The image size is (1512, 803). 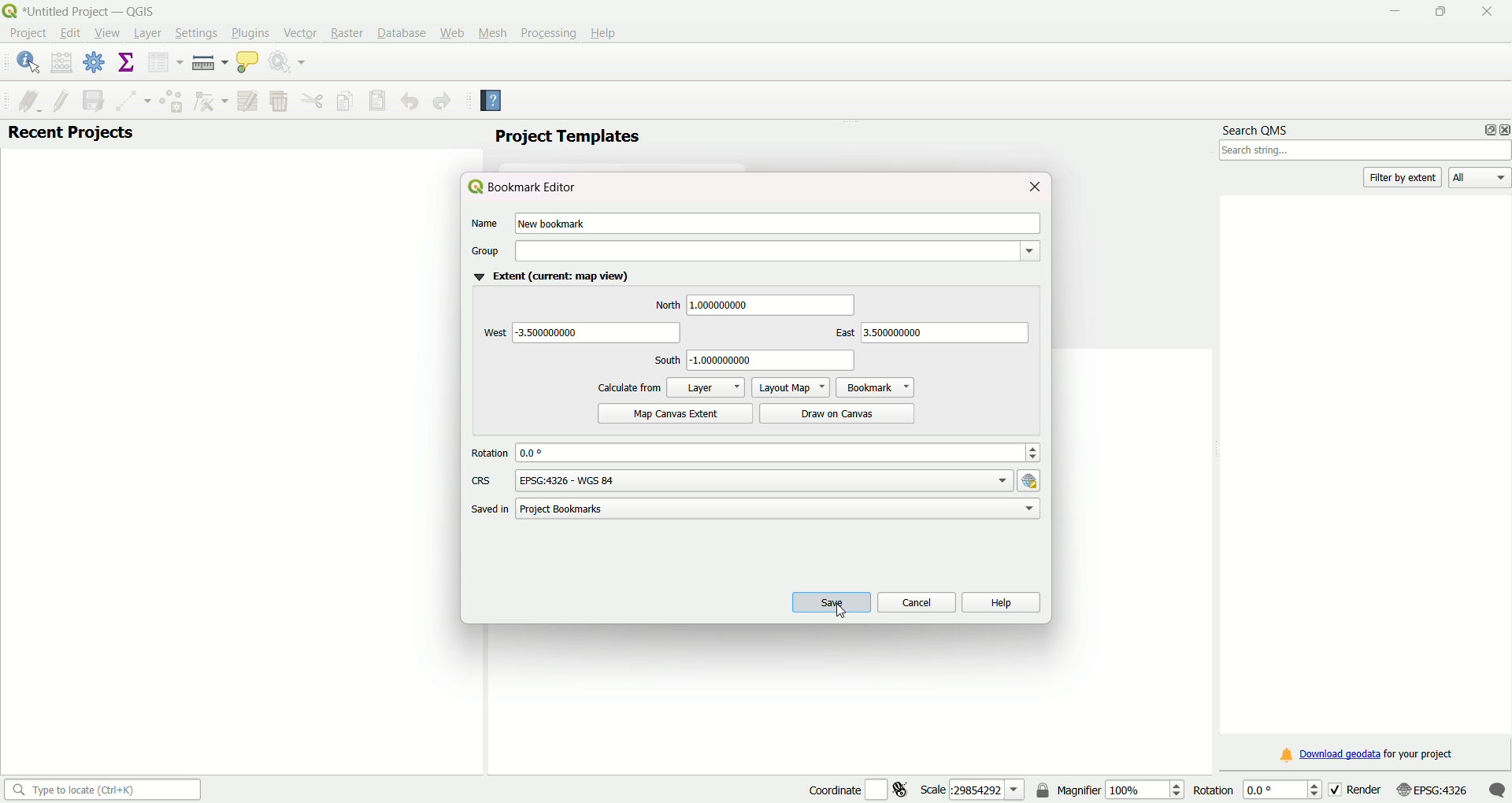 I want to click on layout map, so click(x=789, y=387).